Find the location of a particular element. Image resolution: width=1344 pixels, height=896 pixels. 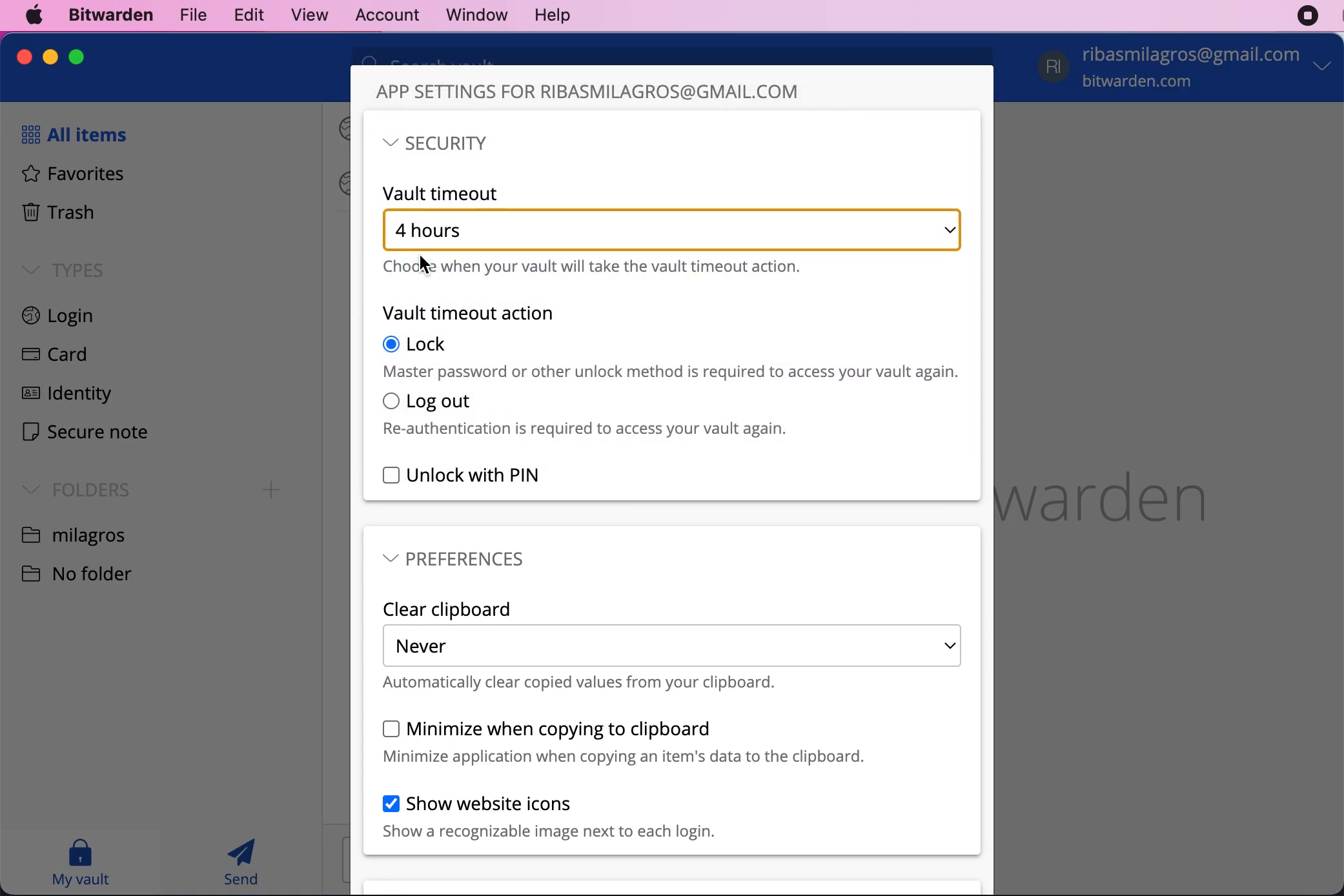

favorites is located at coordinates (66, 176).